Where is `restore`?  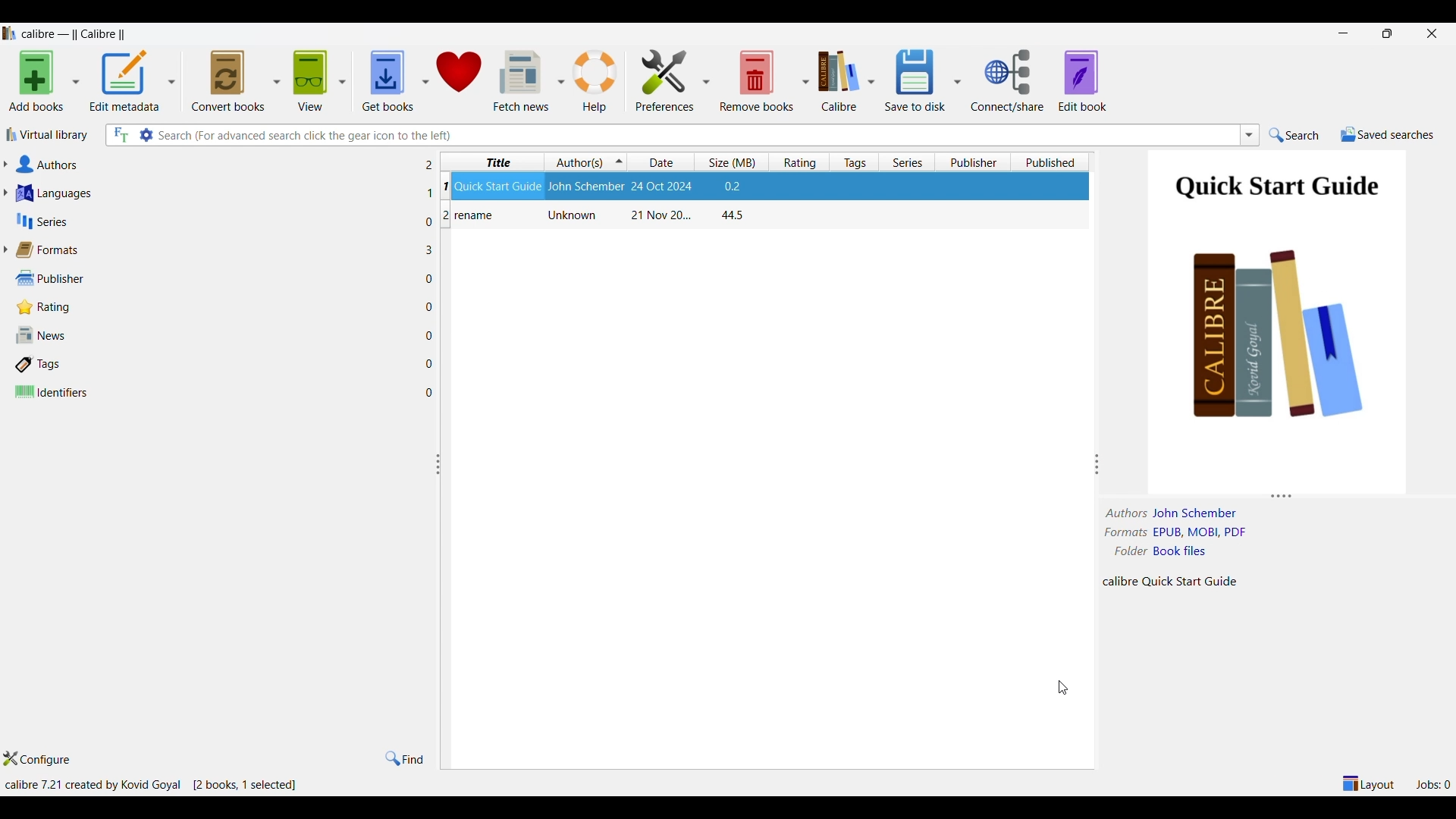
restore is located at coordinates (1388, 33).